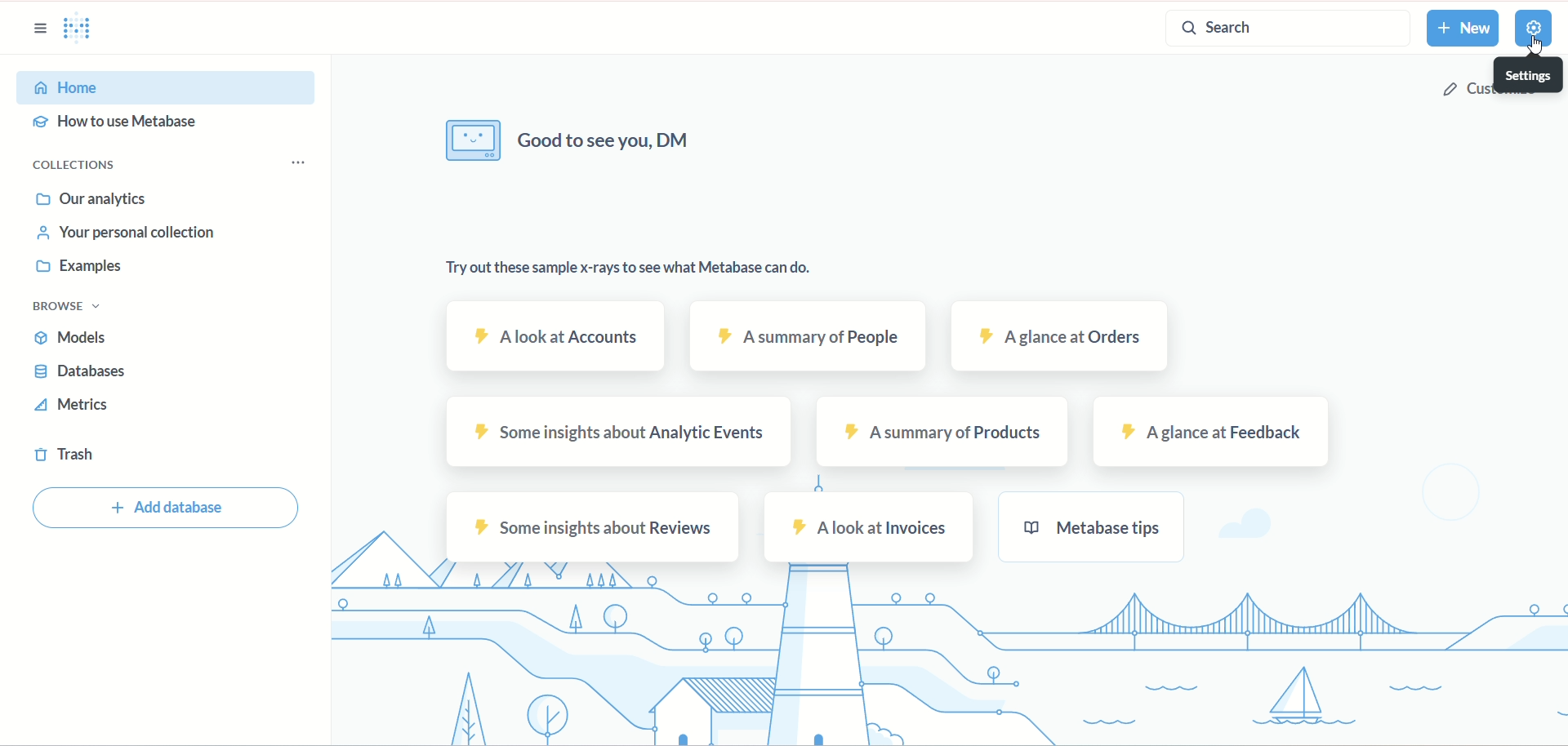  What do you see at coordinates (1503, 91) in the screenshot?
I see `customize` at bounding box center [1503, 91].